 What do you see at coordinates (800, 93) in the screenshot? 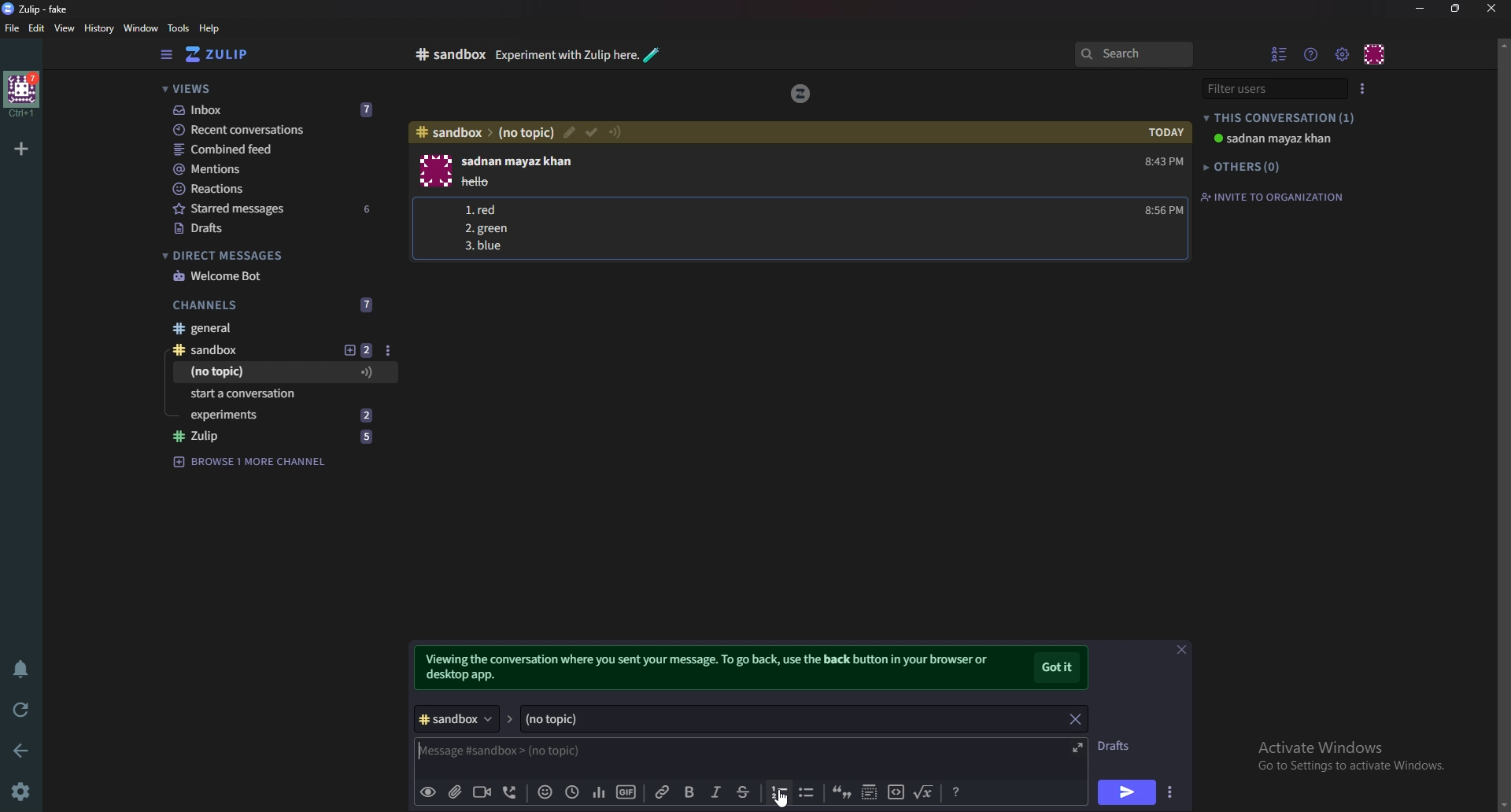
I see `zulip` at bounding box center [800, 93].